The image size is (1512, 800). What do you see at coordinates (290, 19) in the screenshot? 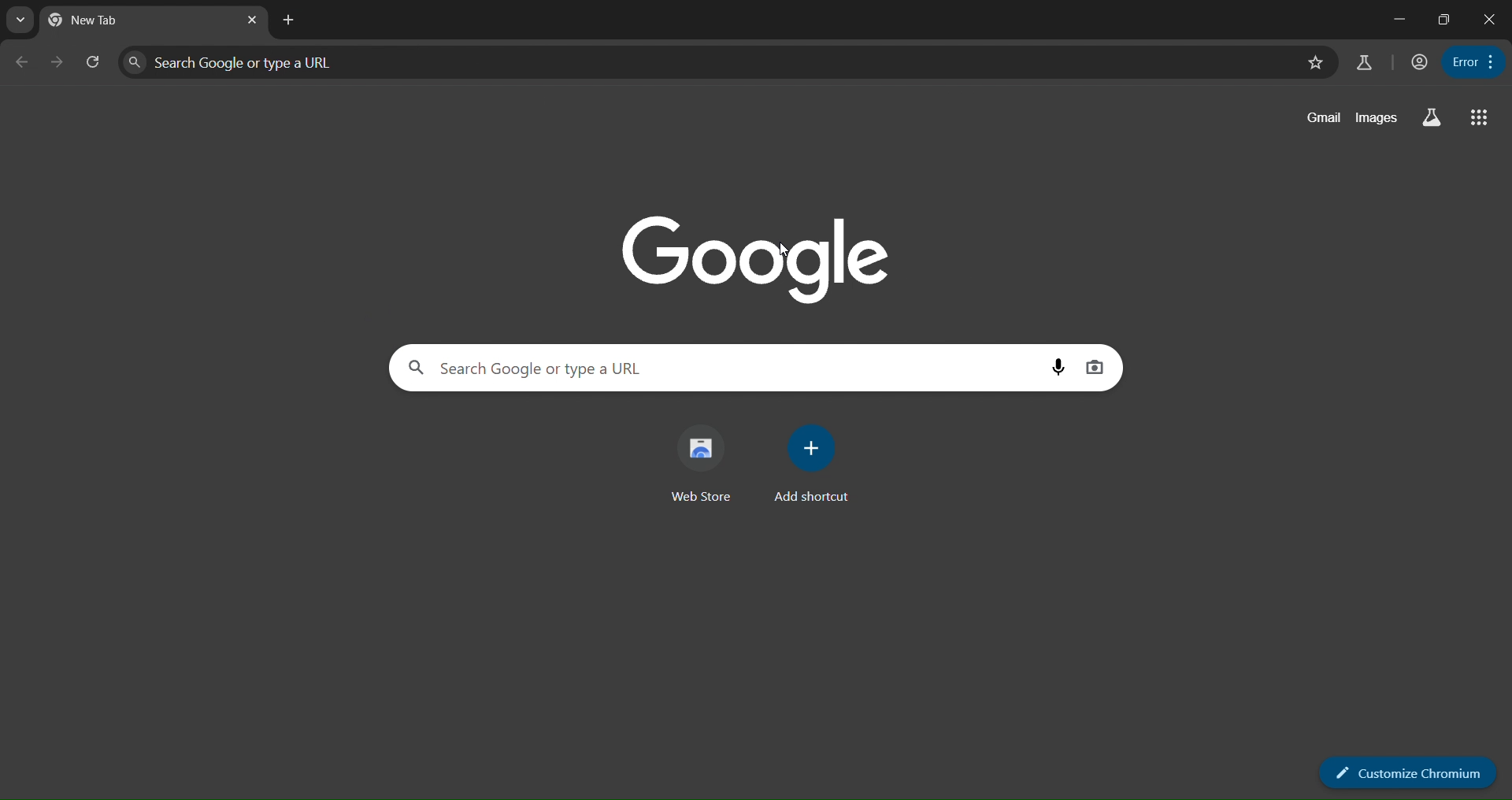
I see `add new tab` at bounding box center [290, 19].